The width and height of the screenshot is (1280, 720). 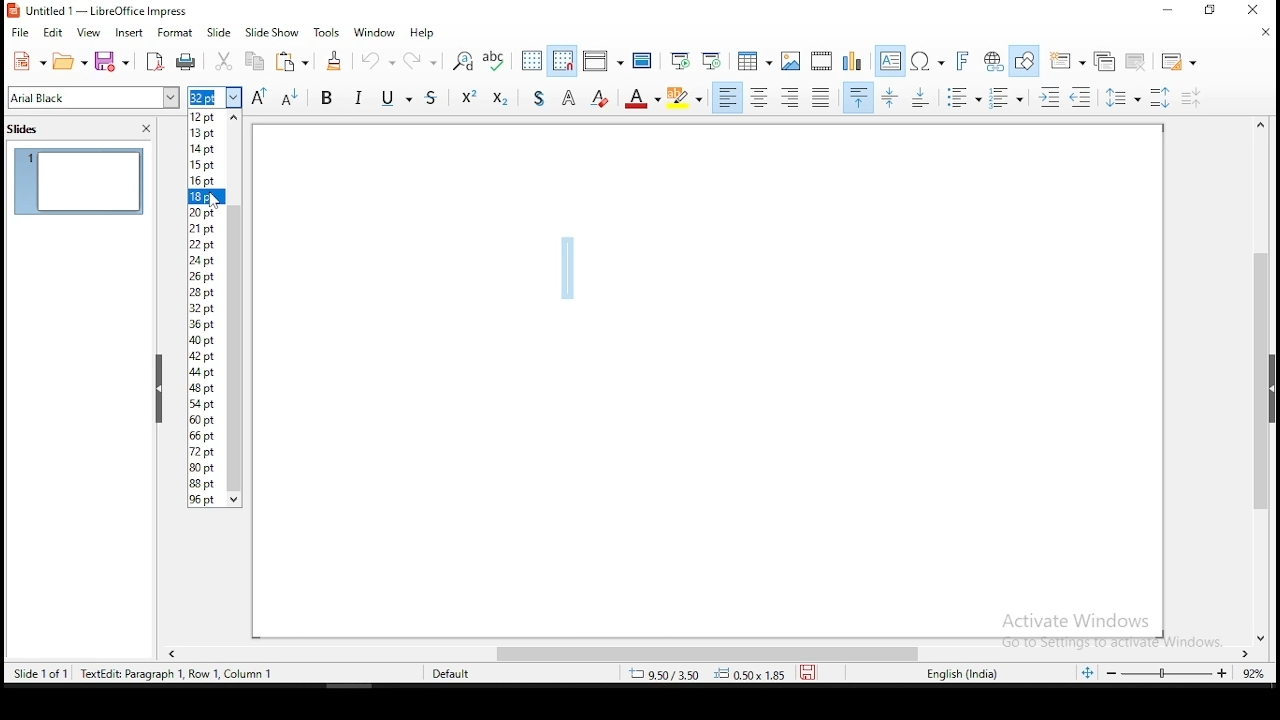 I want to click on slide 1, so click(x=79, y=181).